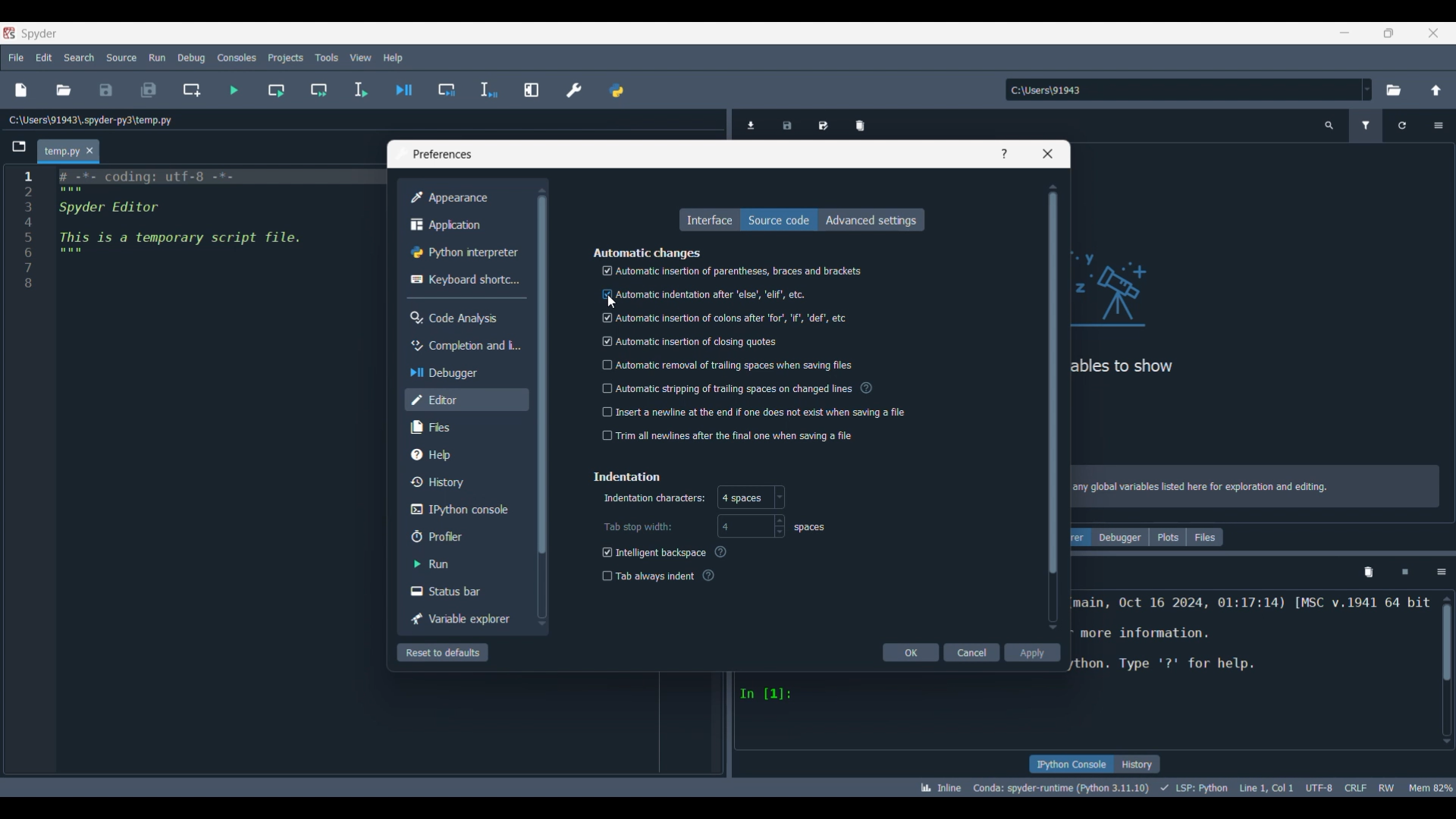  Describe the element at coordinates (16, 58) in the screenshot. I see `File menu` at that location.